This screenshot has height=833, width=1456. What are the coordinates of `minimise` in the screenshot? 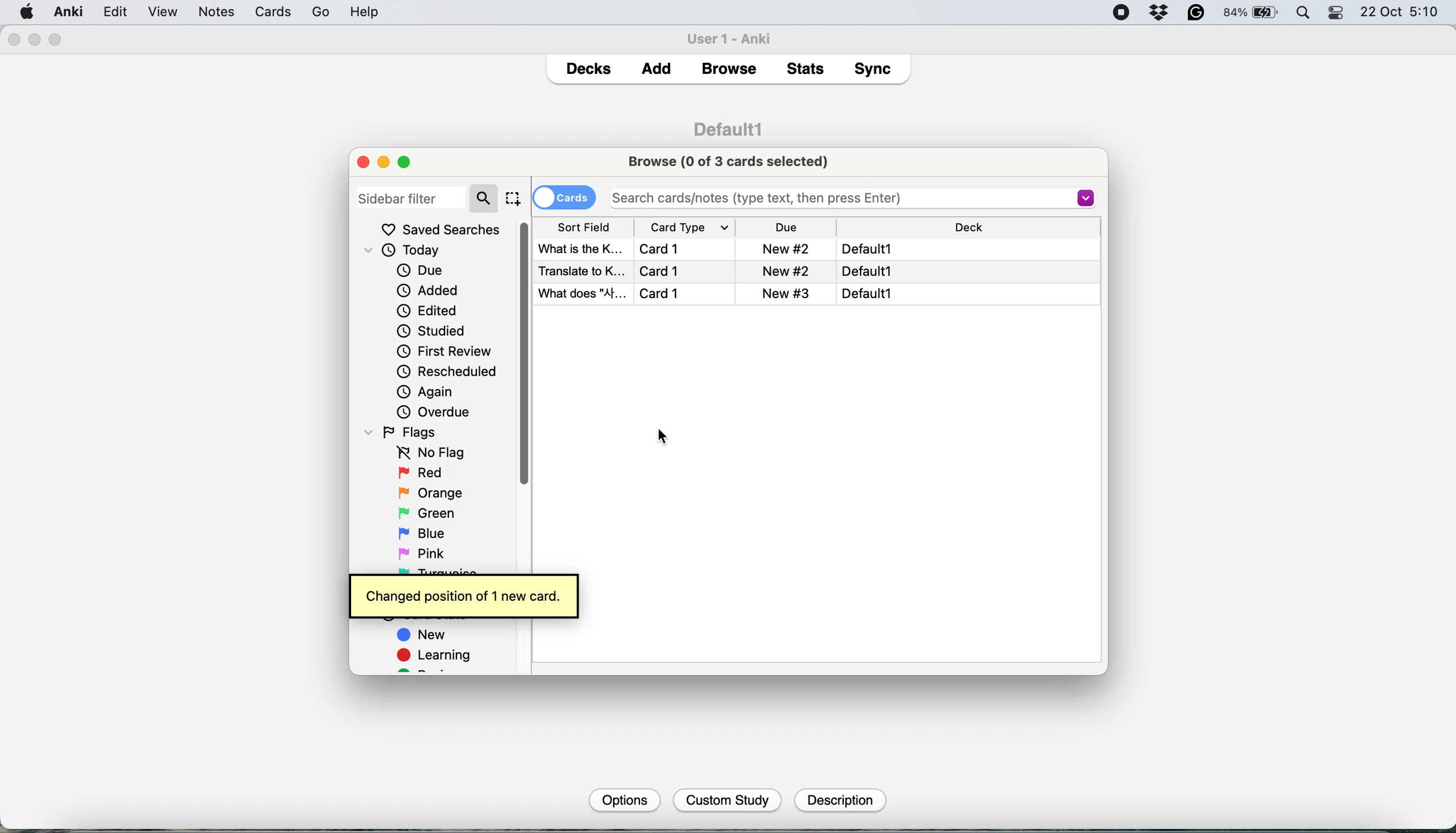 It's located at (35, 39).